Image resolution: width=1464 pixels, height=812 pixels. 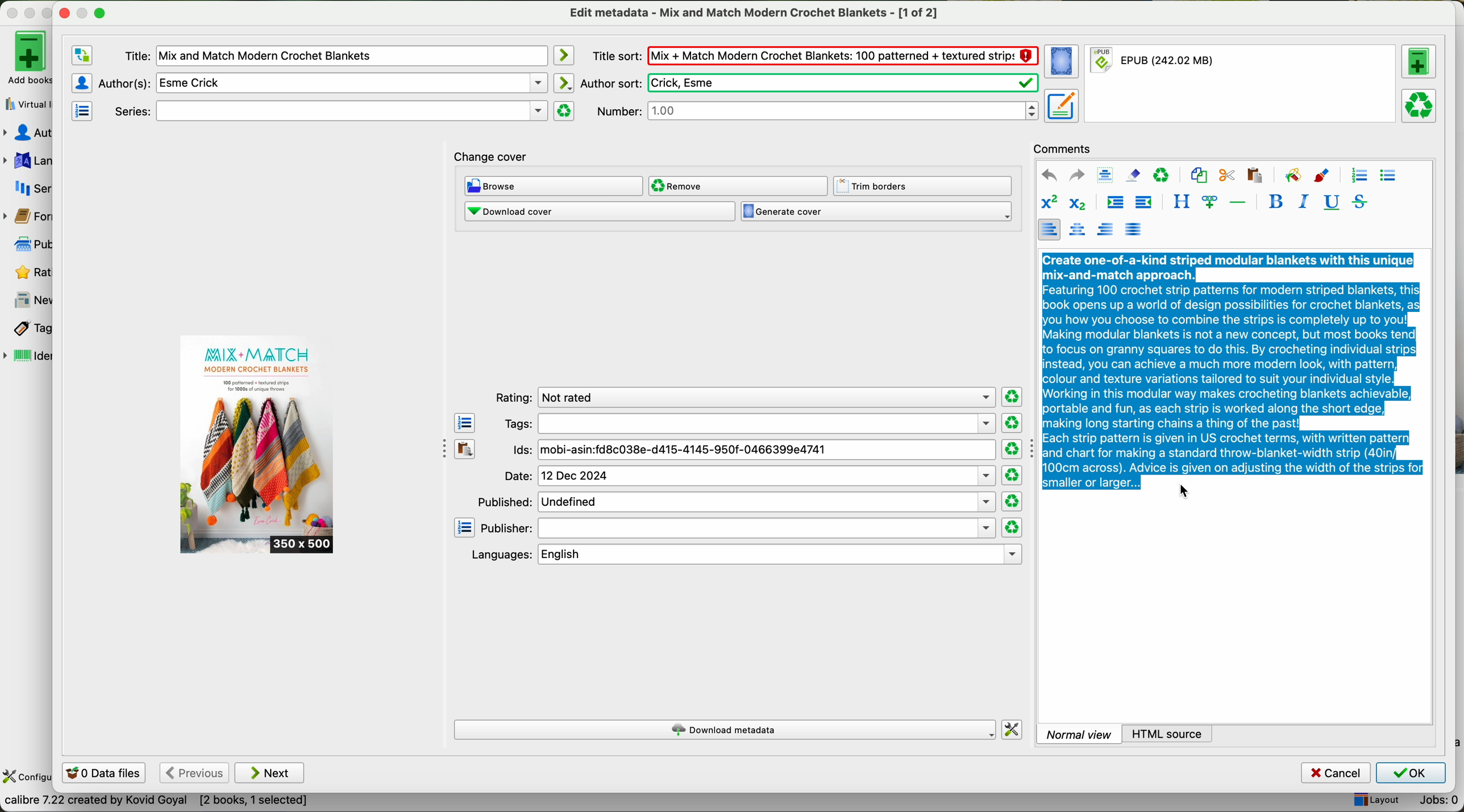 I want to click on virtual library, so click(x=26, y=101).